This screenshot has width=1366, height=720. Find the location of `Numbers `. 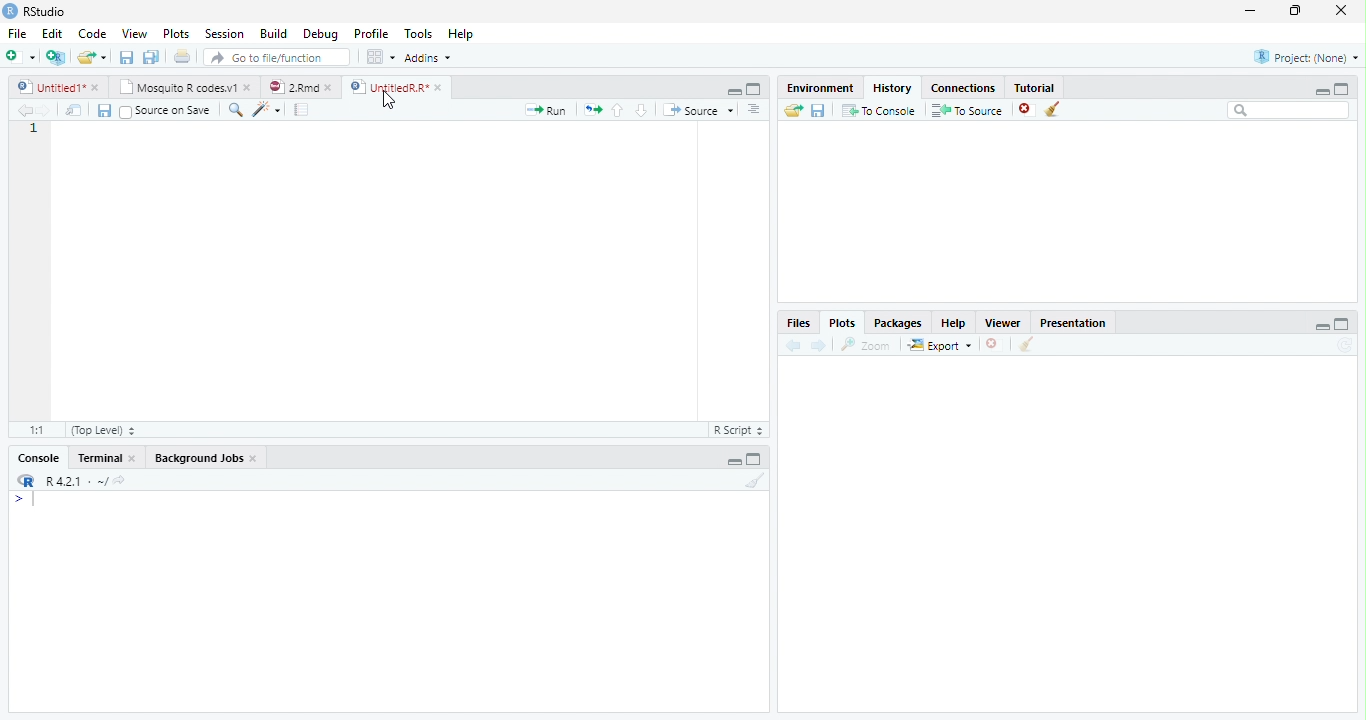

Numbers  is located at coordinates (36, 130).